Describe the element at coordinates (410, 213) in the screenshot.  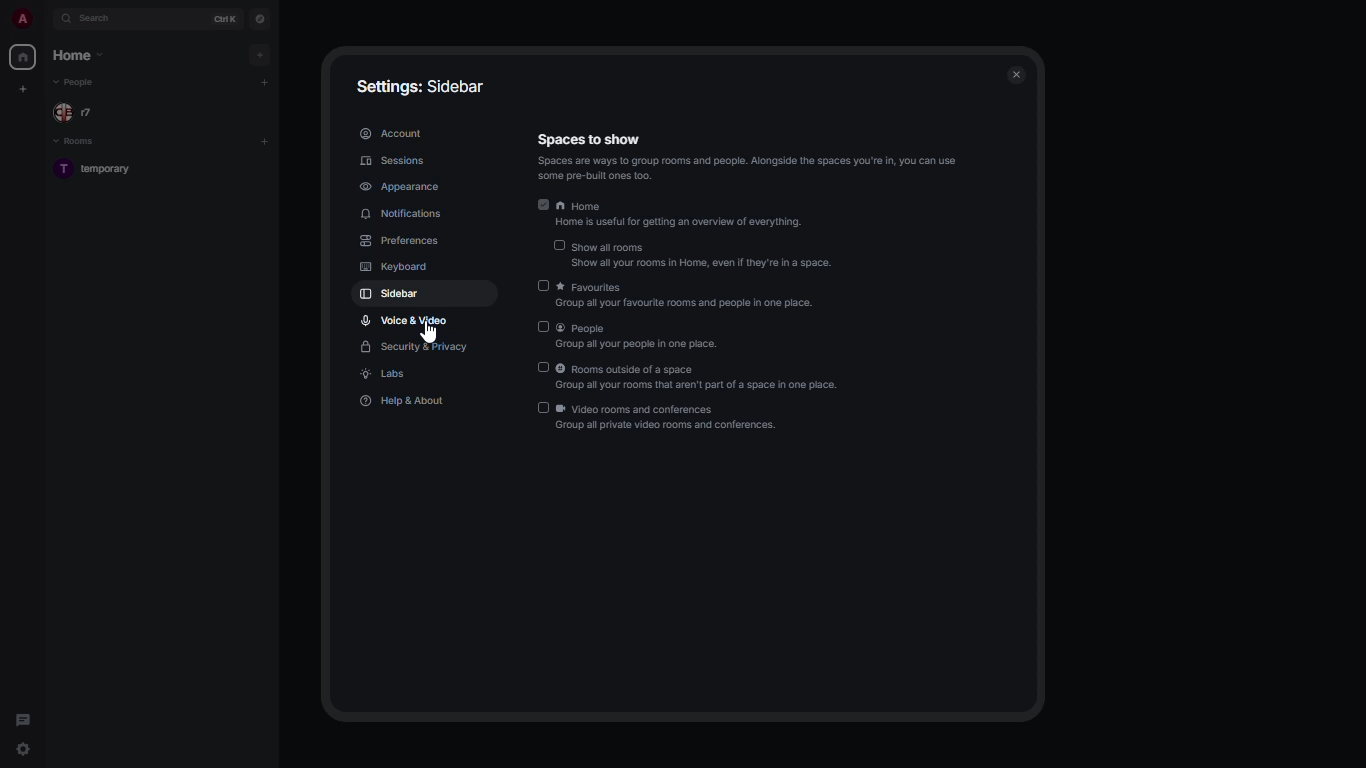
I see `notifications` at that location.